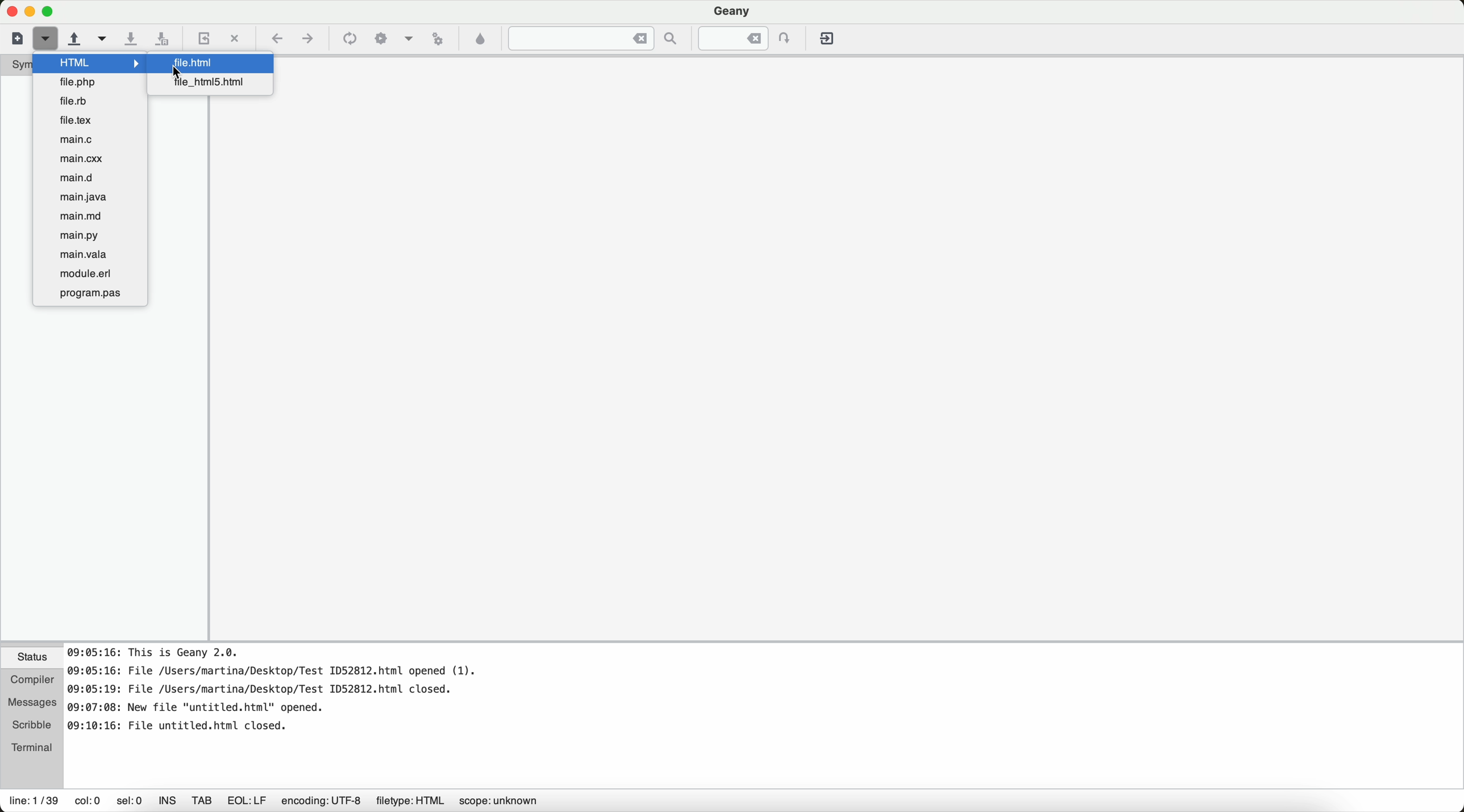  Describe the element at coordinates (350, 40) in the screenshot. I see `compile the current file` at that location.